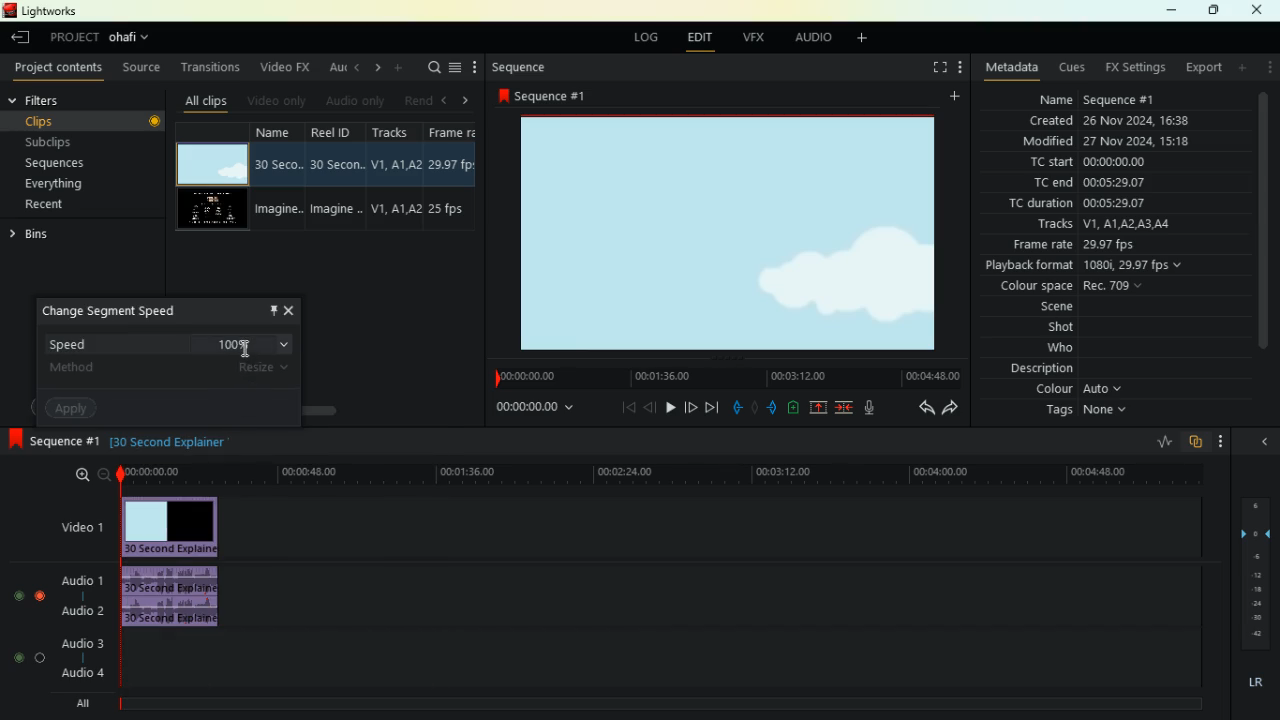  What do you see at coordinates (1166, 11) in the screenshot?
I see `minimize` at bounding box center [1166, 11].